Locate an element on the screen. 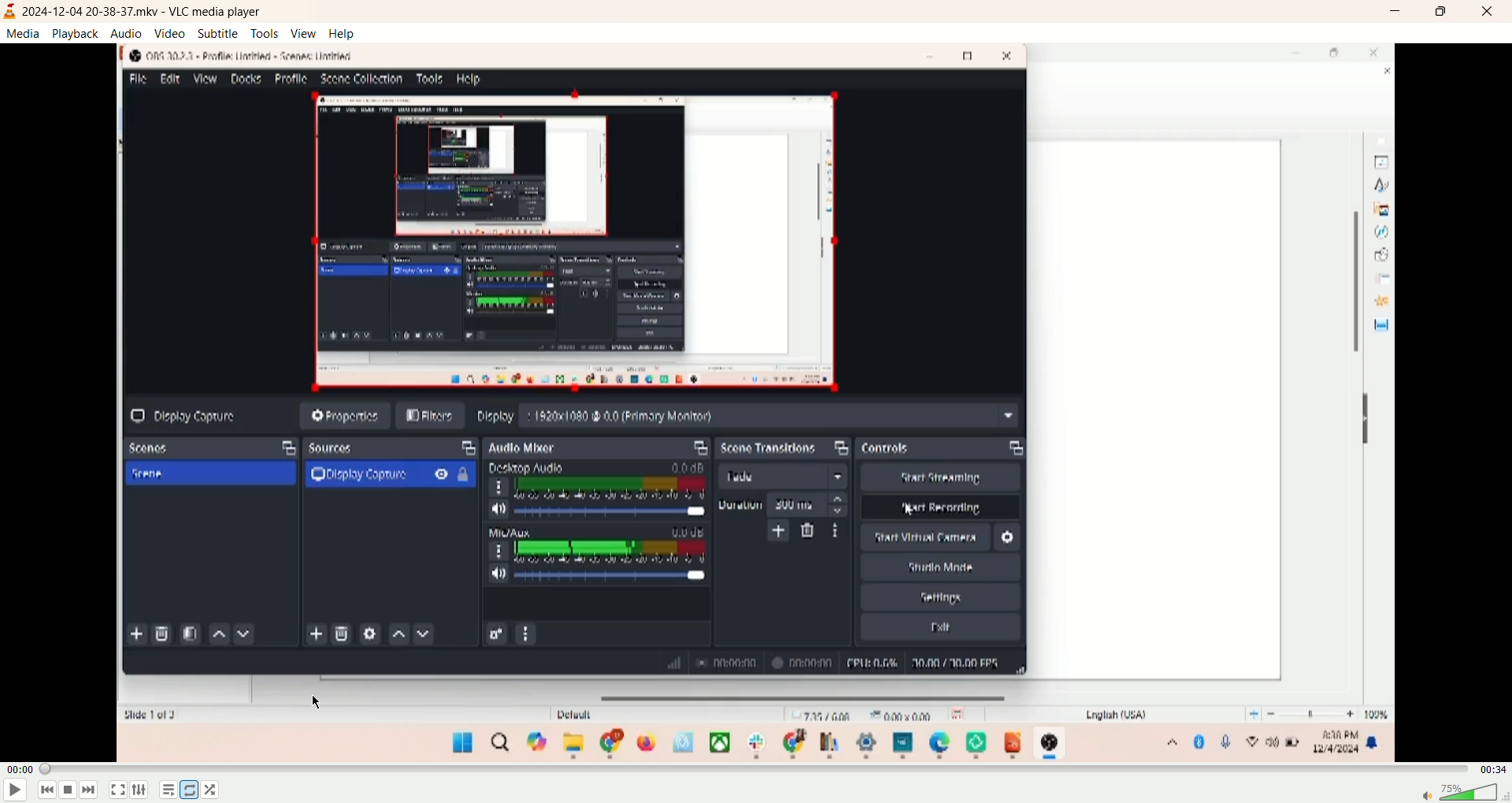 Image resolution: width=1512 pixels, height=803 pixels. playback is located at coordinates (74, 35).